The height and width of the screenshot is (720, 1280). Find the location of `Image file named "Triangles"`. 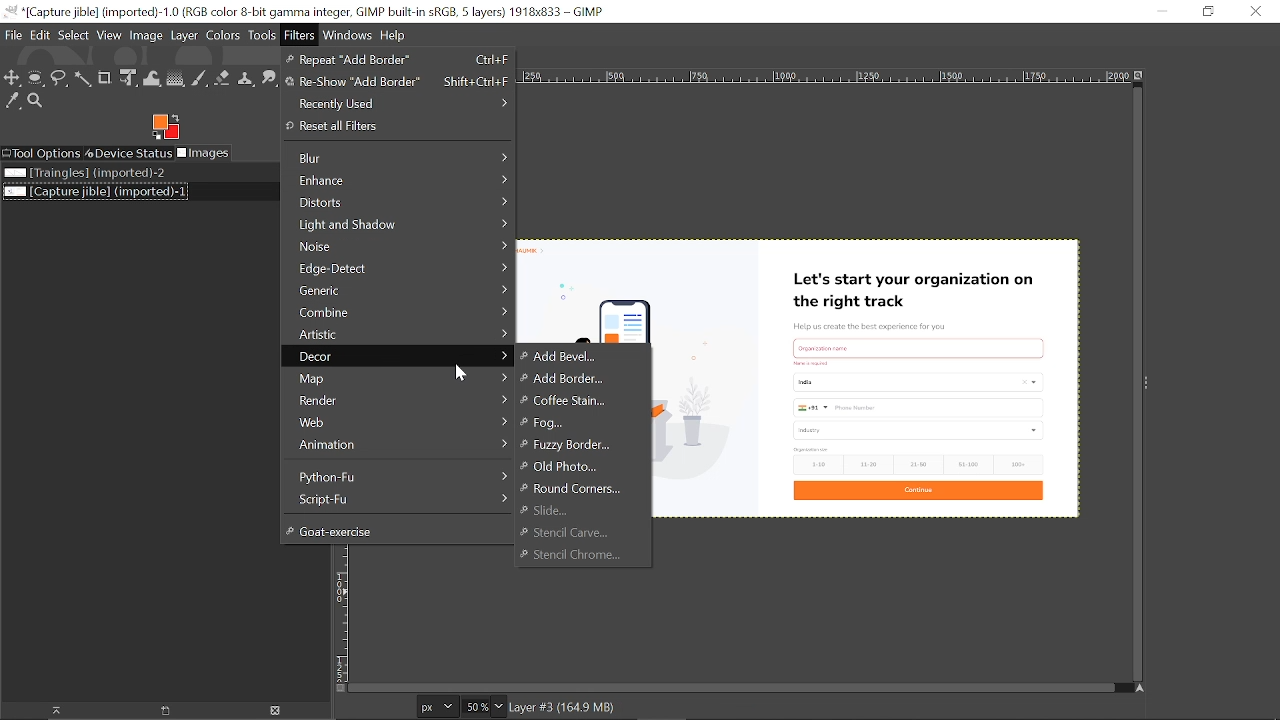

Image file named "Triangles" is located at coordinates (92, 172).